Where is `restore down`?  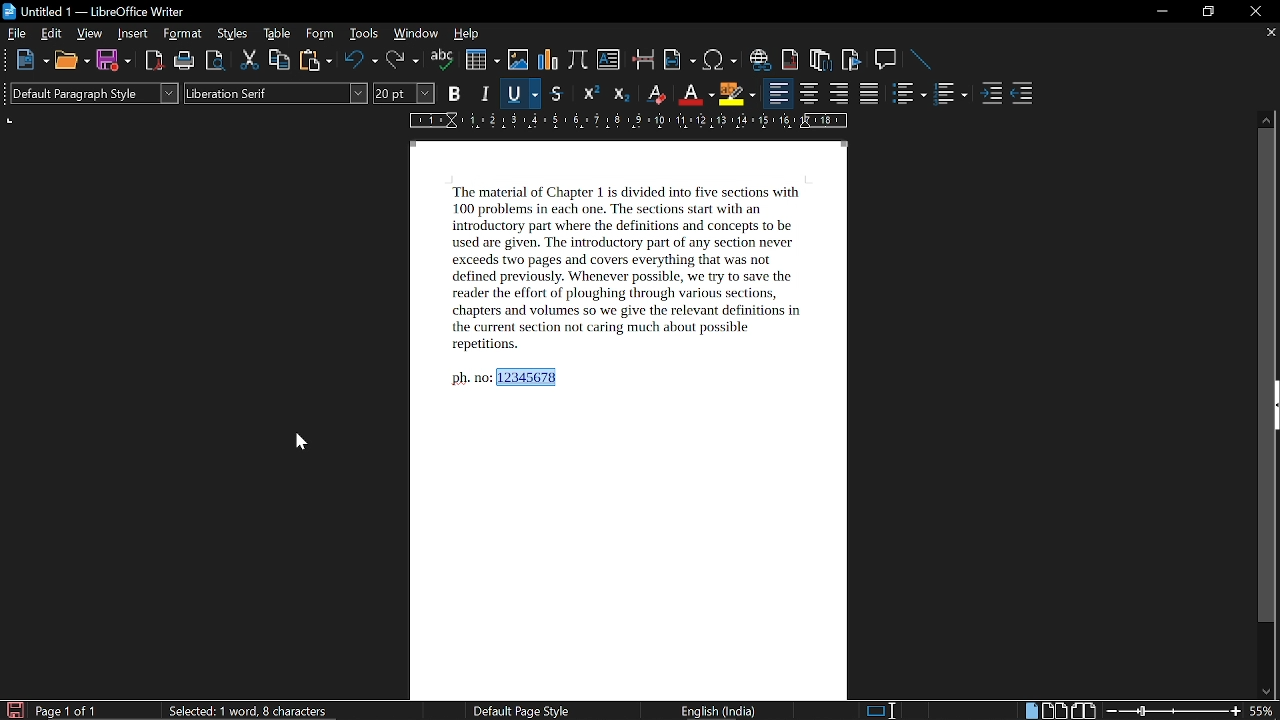 restore down is located at coordinates (1207, 12).